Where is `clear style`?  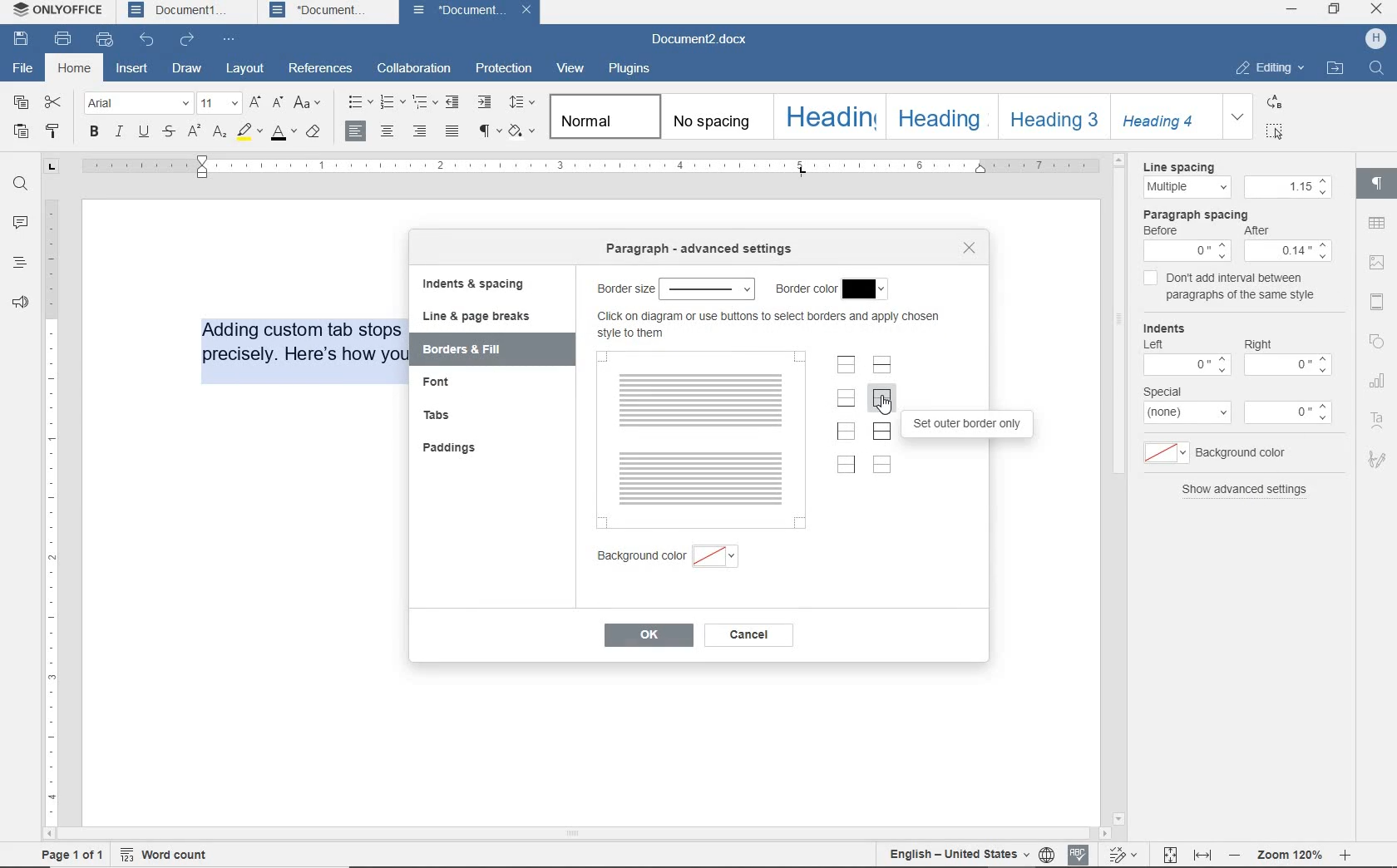 clear style is located at coordinates (317, 134).